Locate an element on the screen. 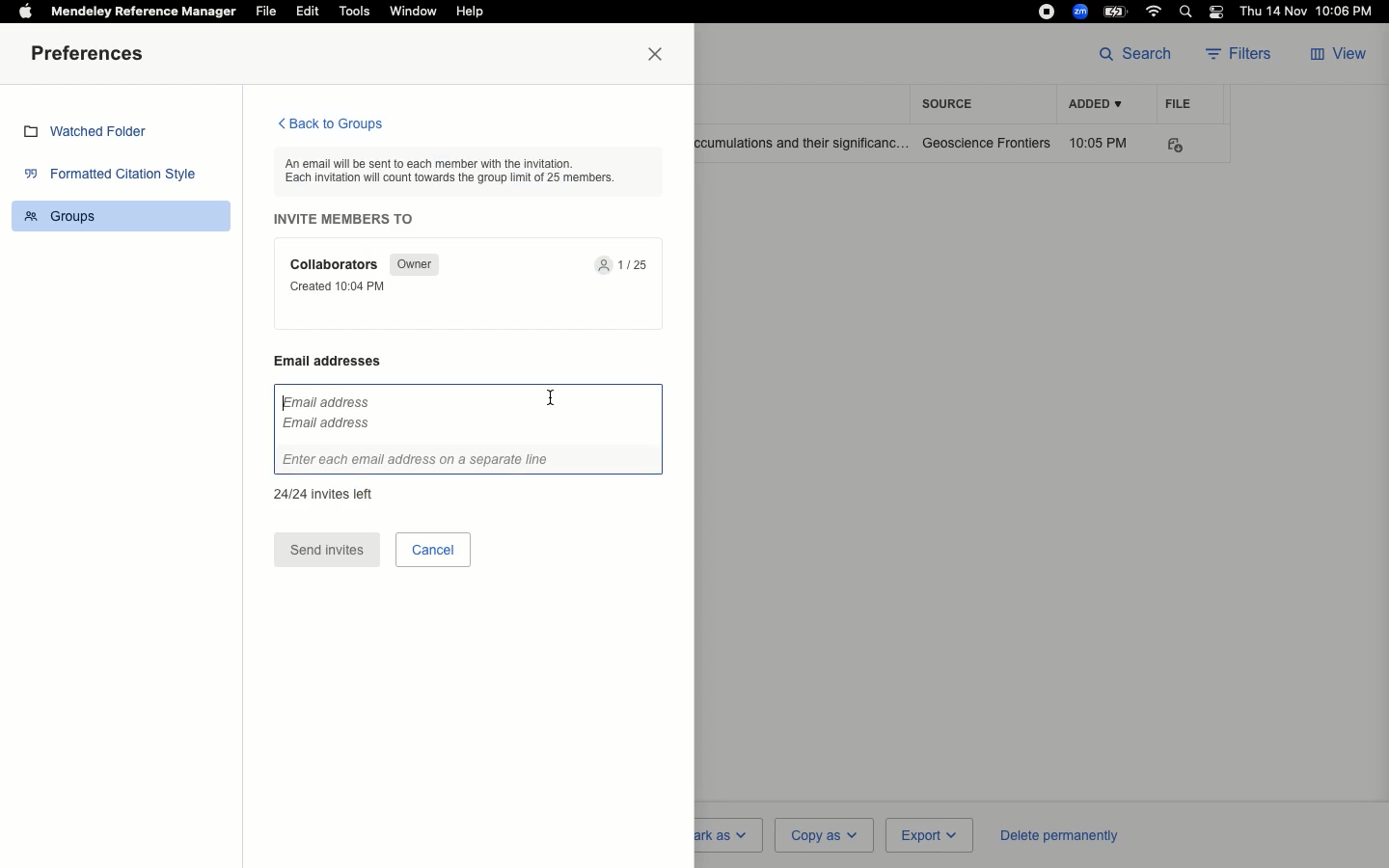  Back to groups is located at coordinates (329, 125).